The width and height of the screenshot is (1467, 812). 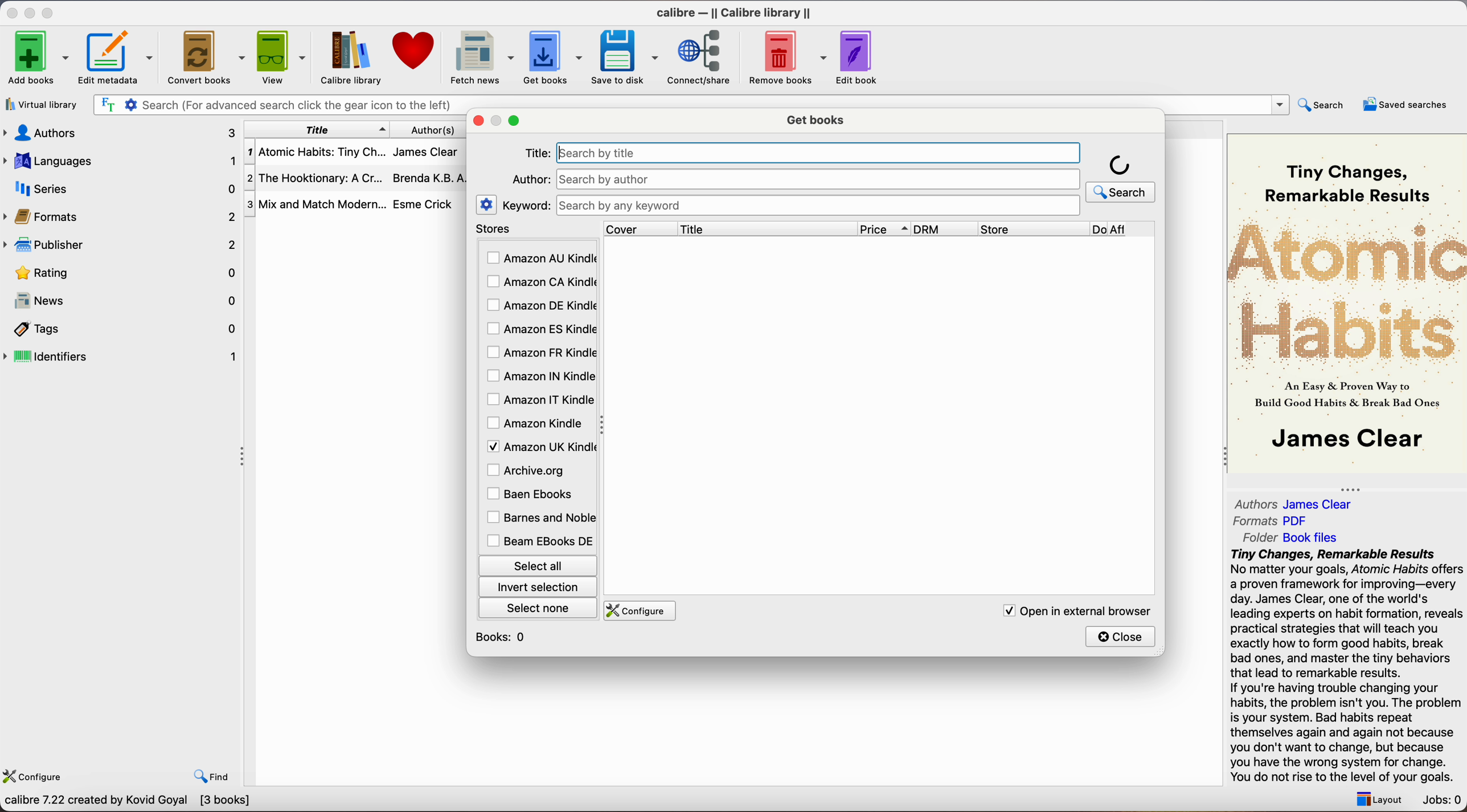 I want to click on Amazon FR Kindle, so click(x=540, y=351).